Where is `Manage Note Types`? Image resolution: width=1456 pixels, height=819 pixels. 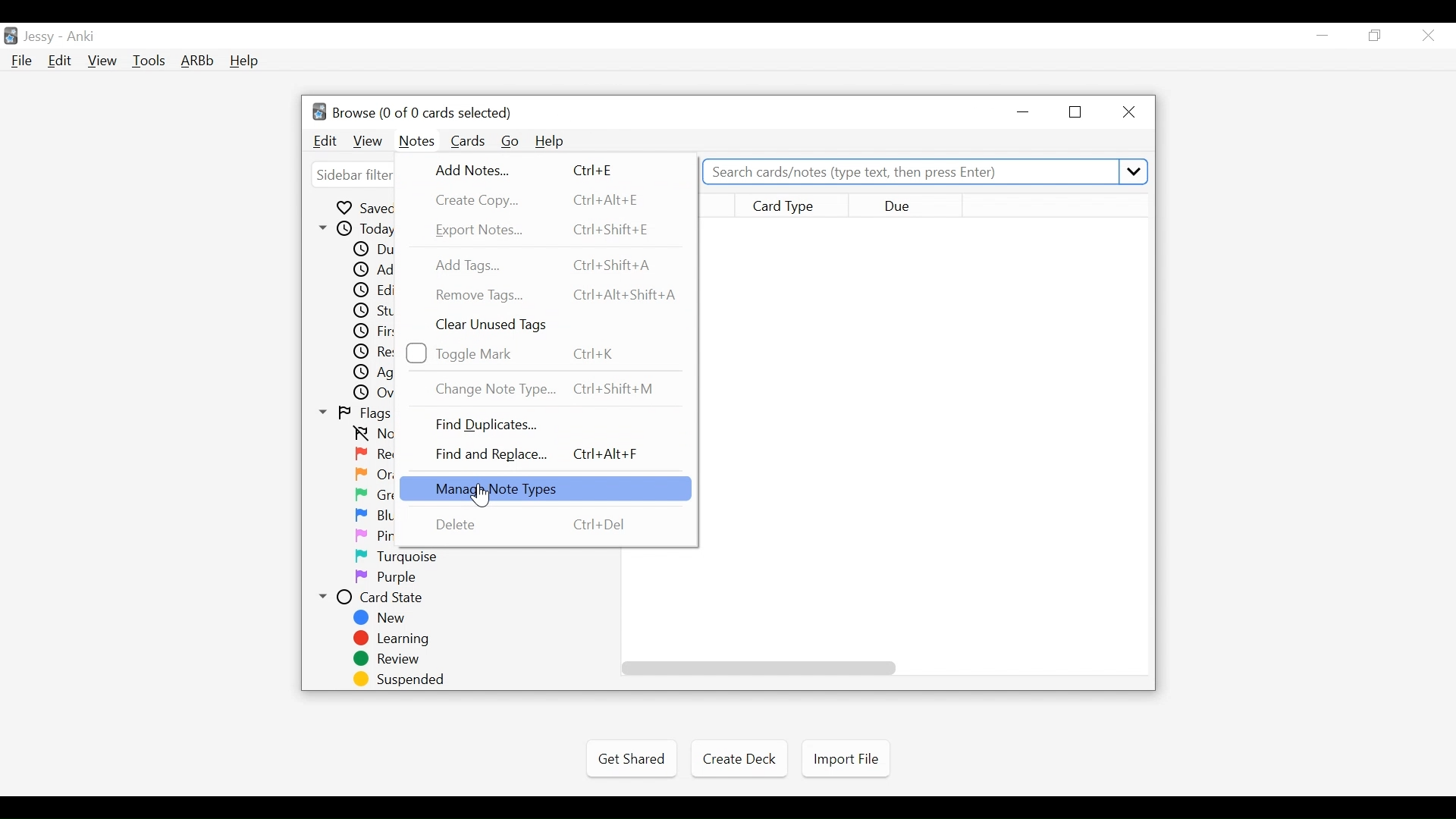 Manage Note Types is located at coordinates (544, 488).